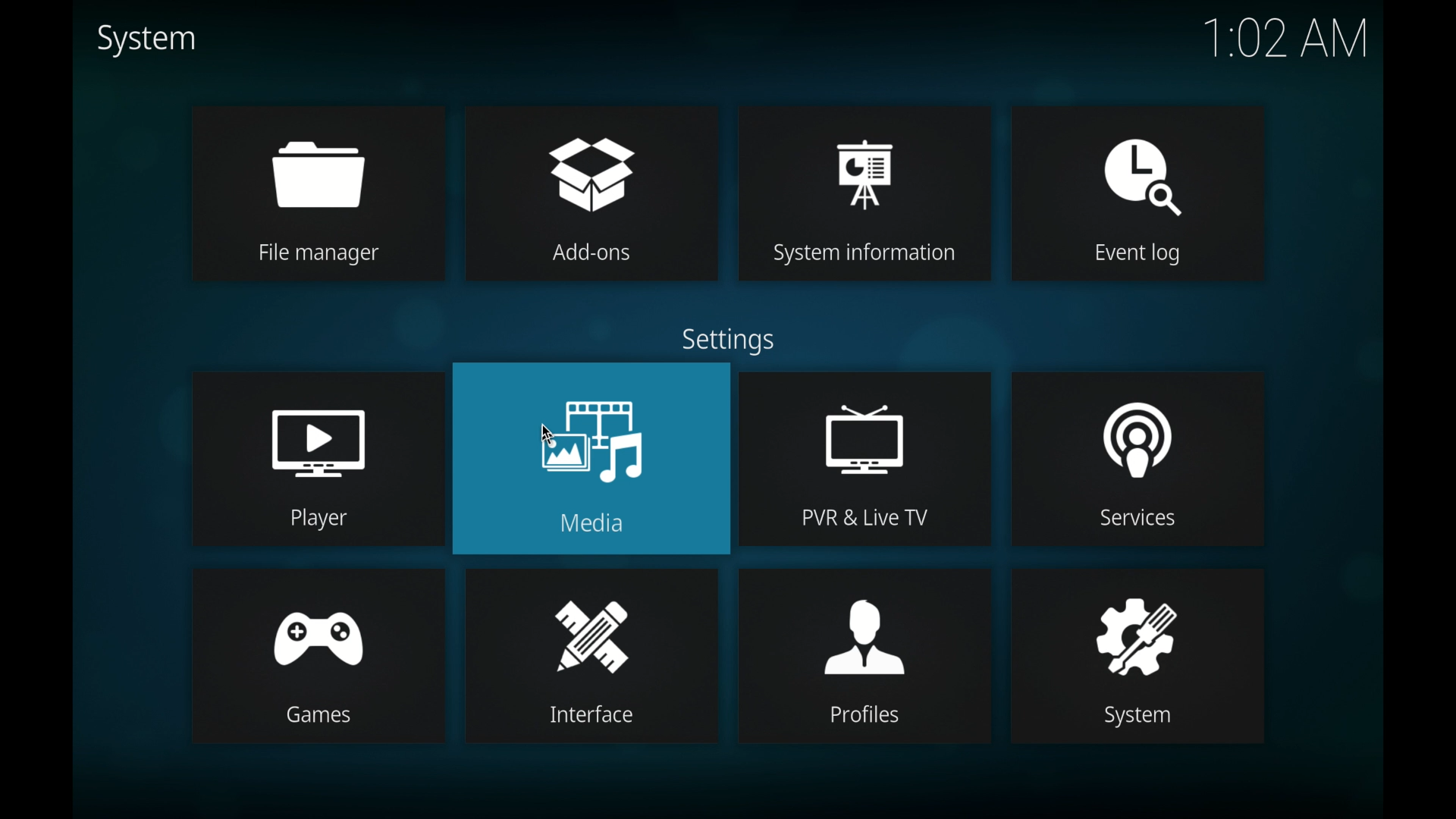 Image resolution: width=1456 pixels, height=819 pixels. What do you see at coordinates (591, 428) in the screenshot?
I see `media` at bounding box center [591, 428].